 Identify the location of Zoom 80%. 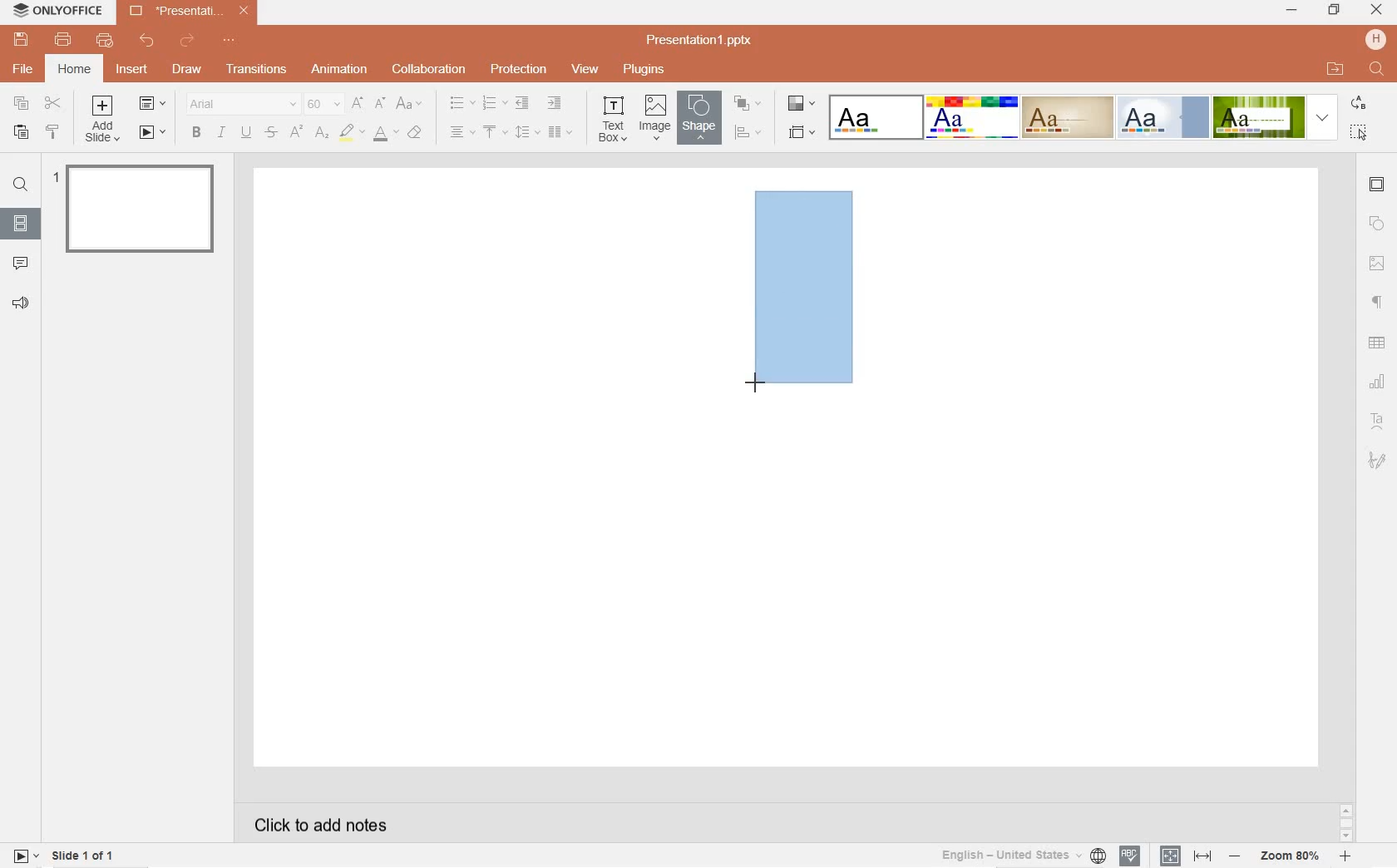
(1291, 857).